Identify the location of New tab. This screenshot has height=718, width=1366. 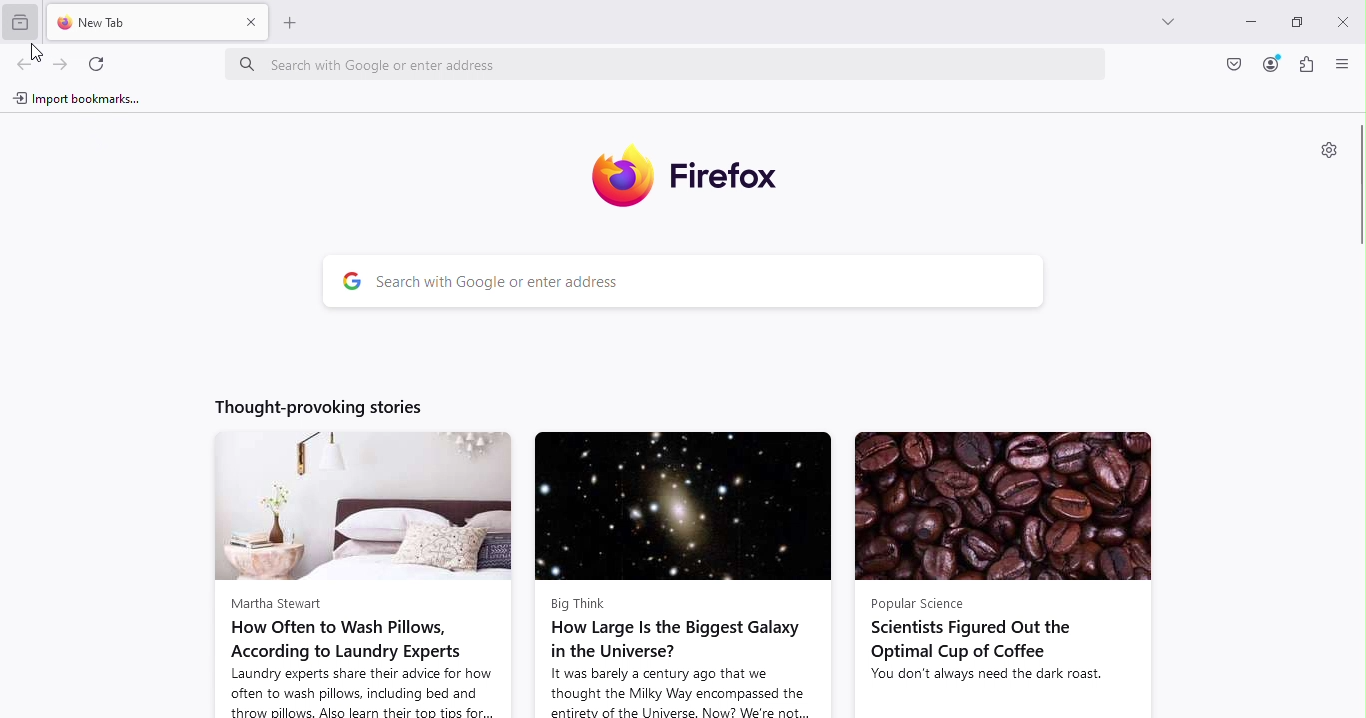
(135, 22).